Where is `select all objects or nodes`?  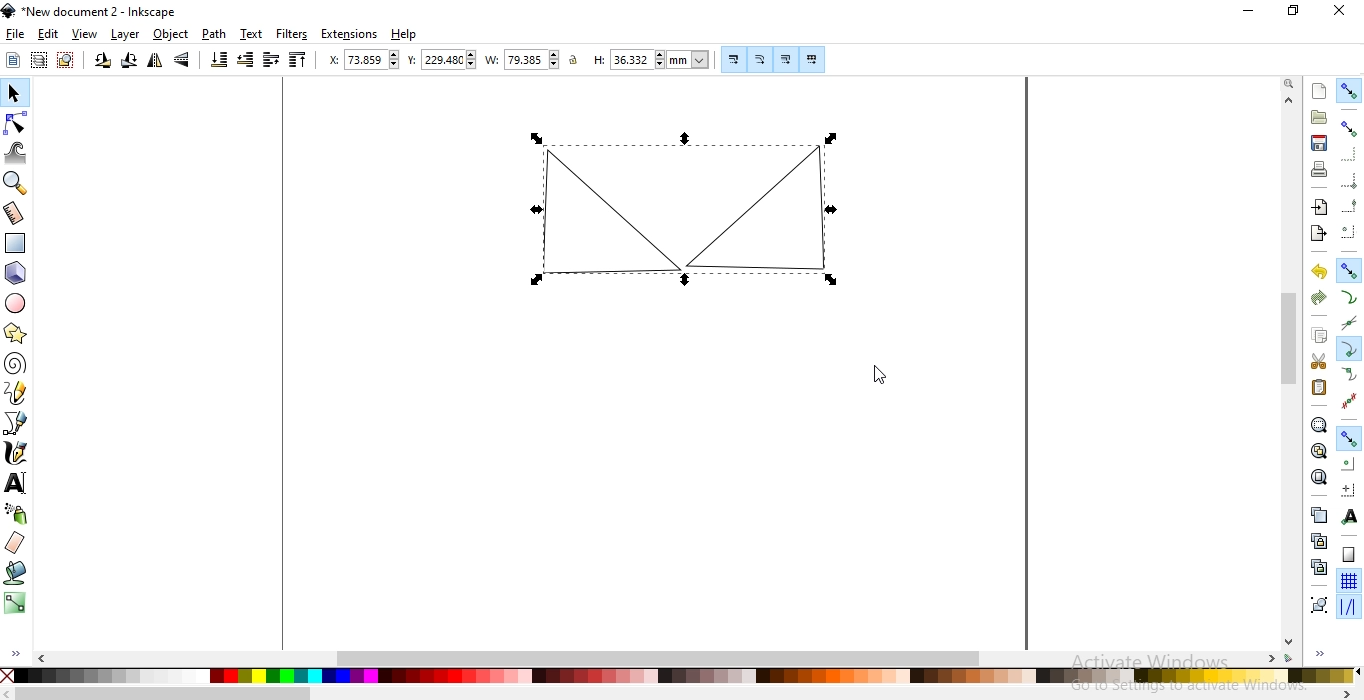
select all objects or nodes is located at coordinates (12, 60).